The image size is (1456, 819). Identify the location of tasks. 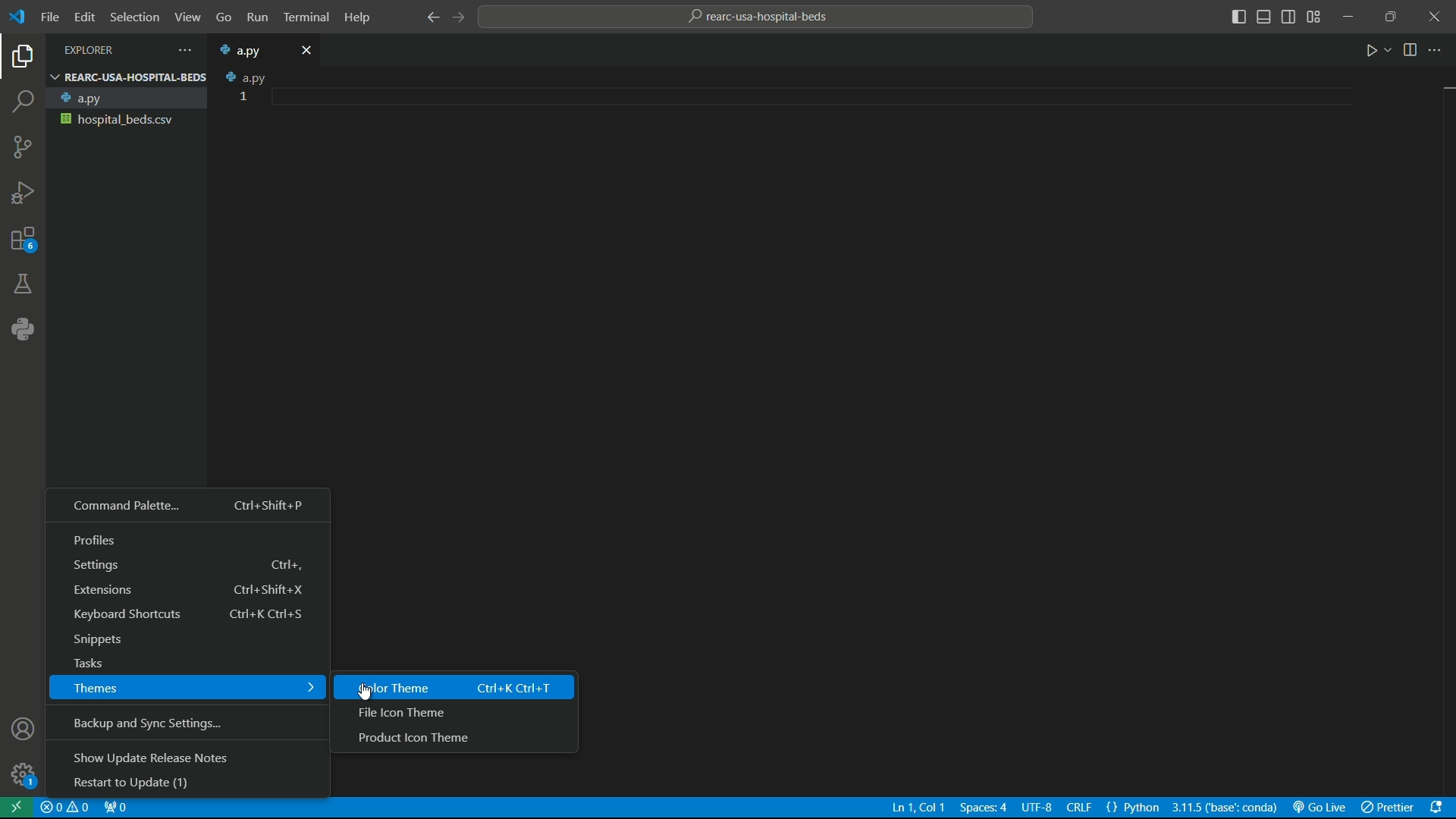
(185, 664).